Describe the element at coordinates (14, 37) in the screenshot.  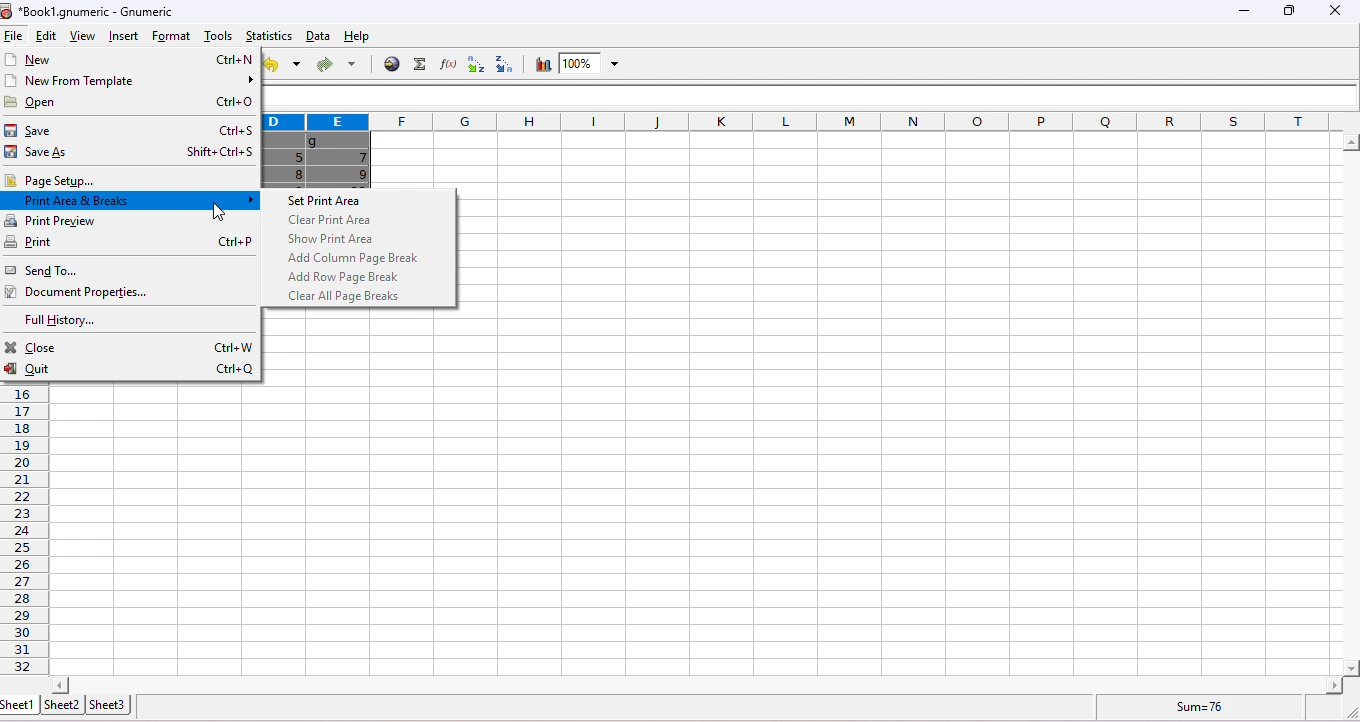
I see `file` at that location.